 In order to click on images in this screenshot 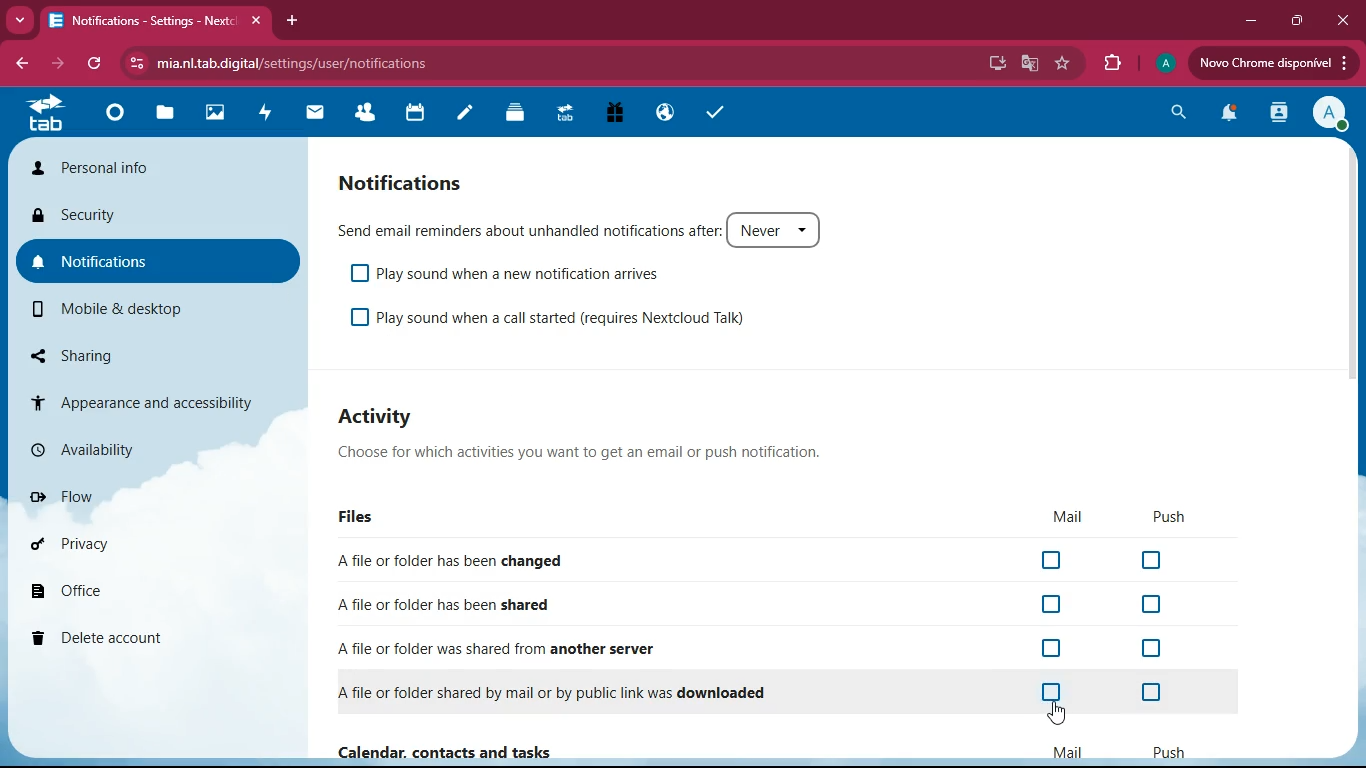, I will do `click(213, 113)`.